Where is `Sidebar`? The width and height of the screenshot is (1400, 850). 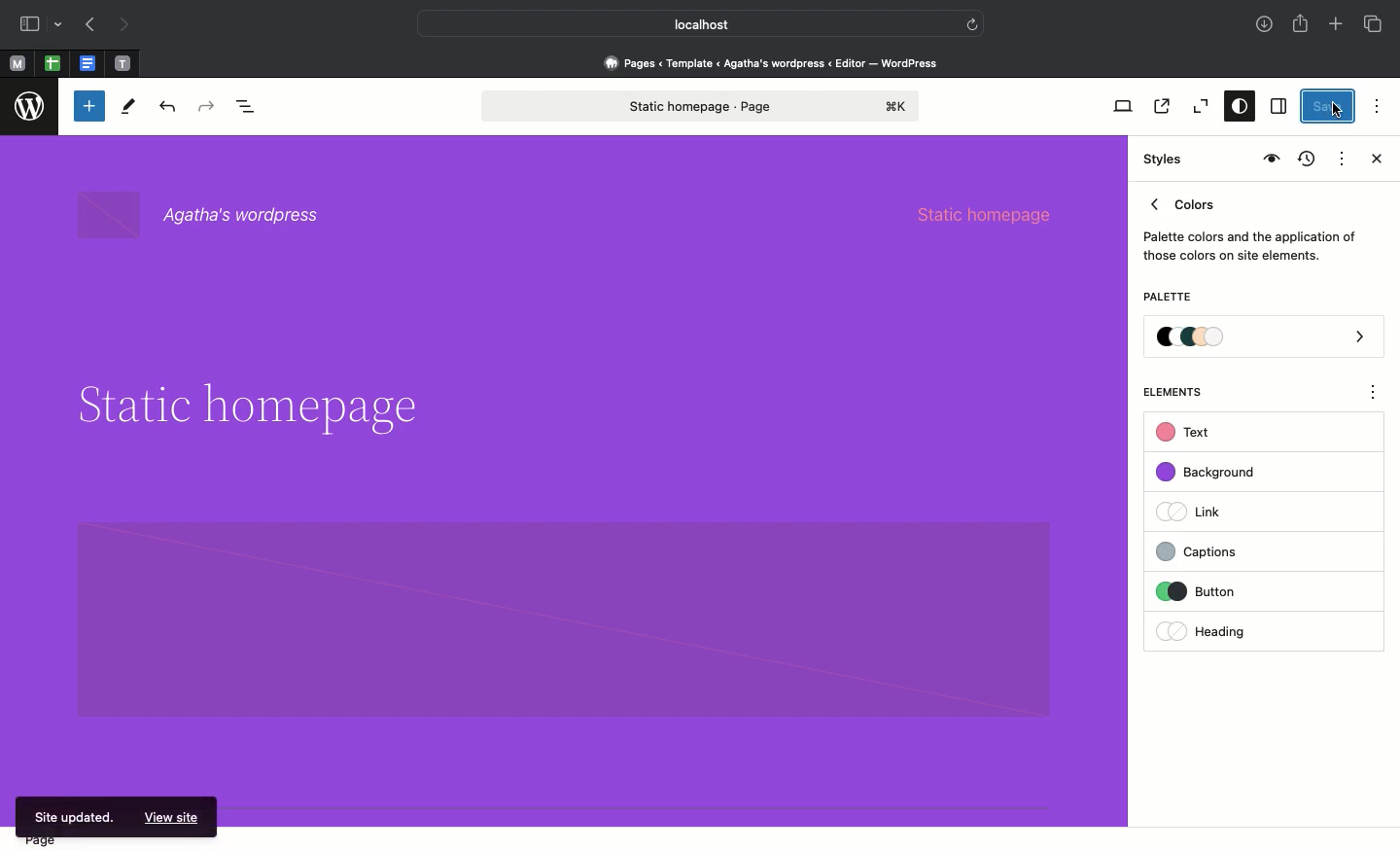
Sidebar is located at coordinates (29, 24).